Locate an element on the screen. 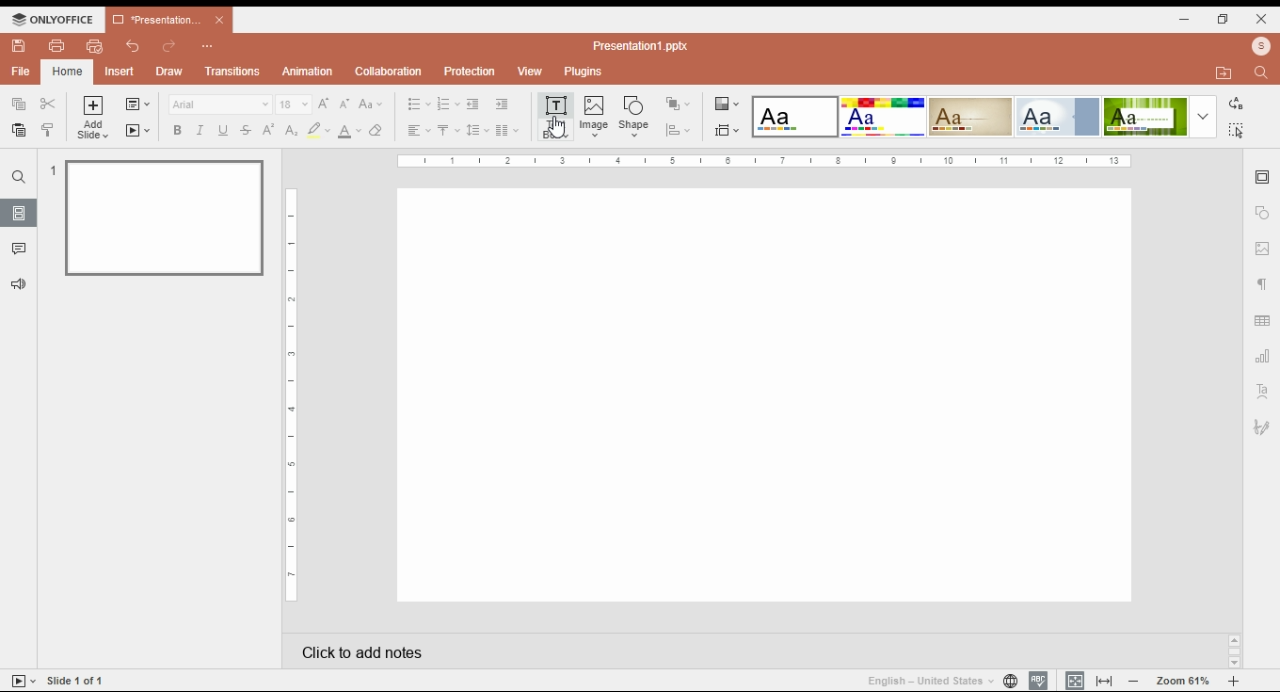 The width and height of the screenshot is (1280, 692). more color themes is located at coordinates (1203, 116).